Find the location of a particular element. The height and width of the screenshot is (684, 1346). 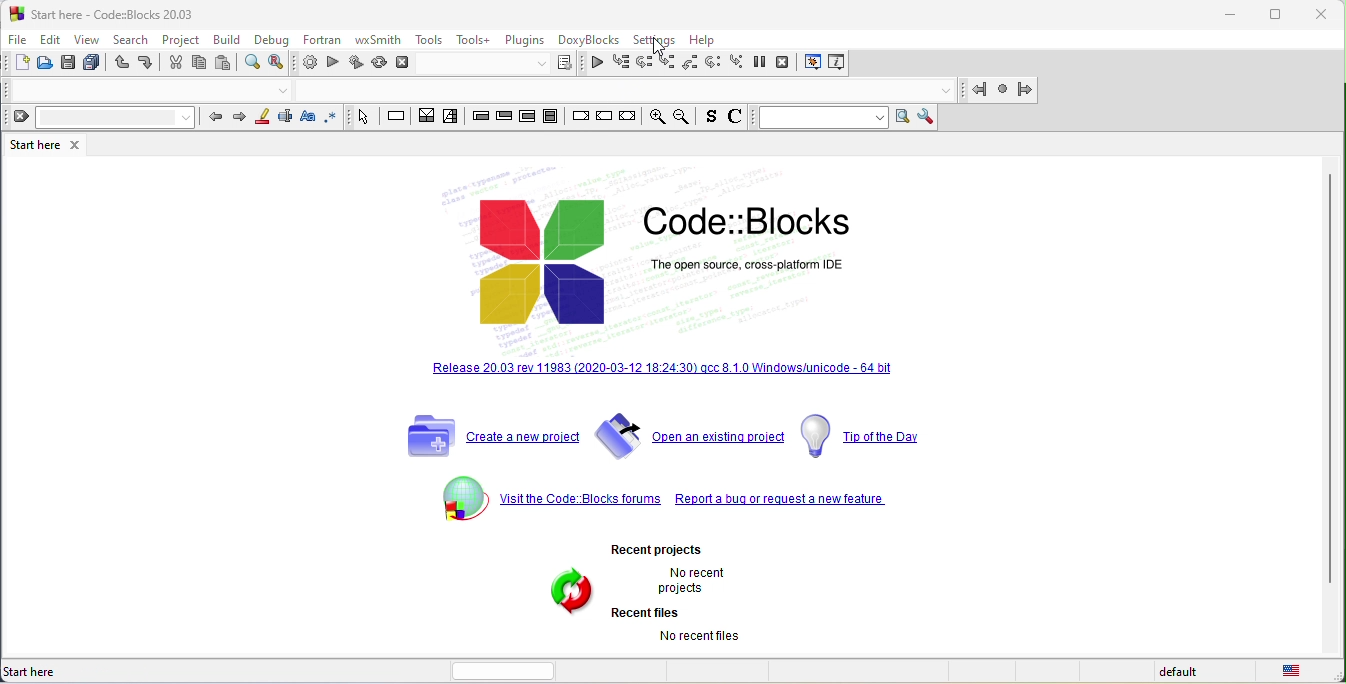

maximize is located at coordinates (1280, 16).